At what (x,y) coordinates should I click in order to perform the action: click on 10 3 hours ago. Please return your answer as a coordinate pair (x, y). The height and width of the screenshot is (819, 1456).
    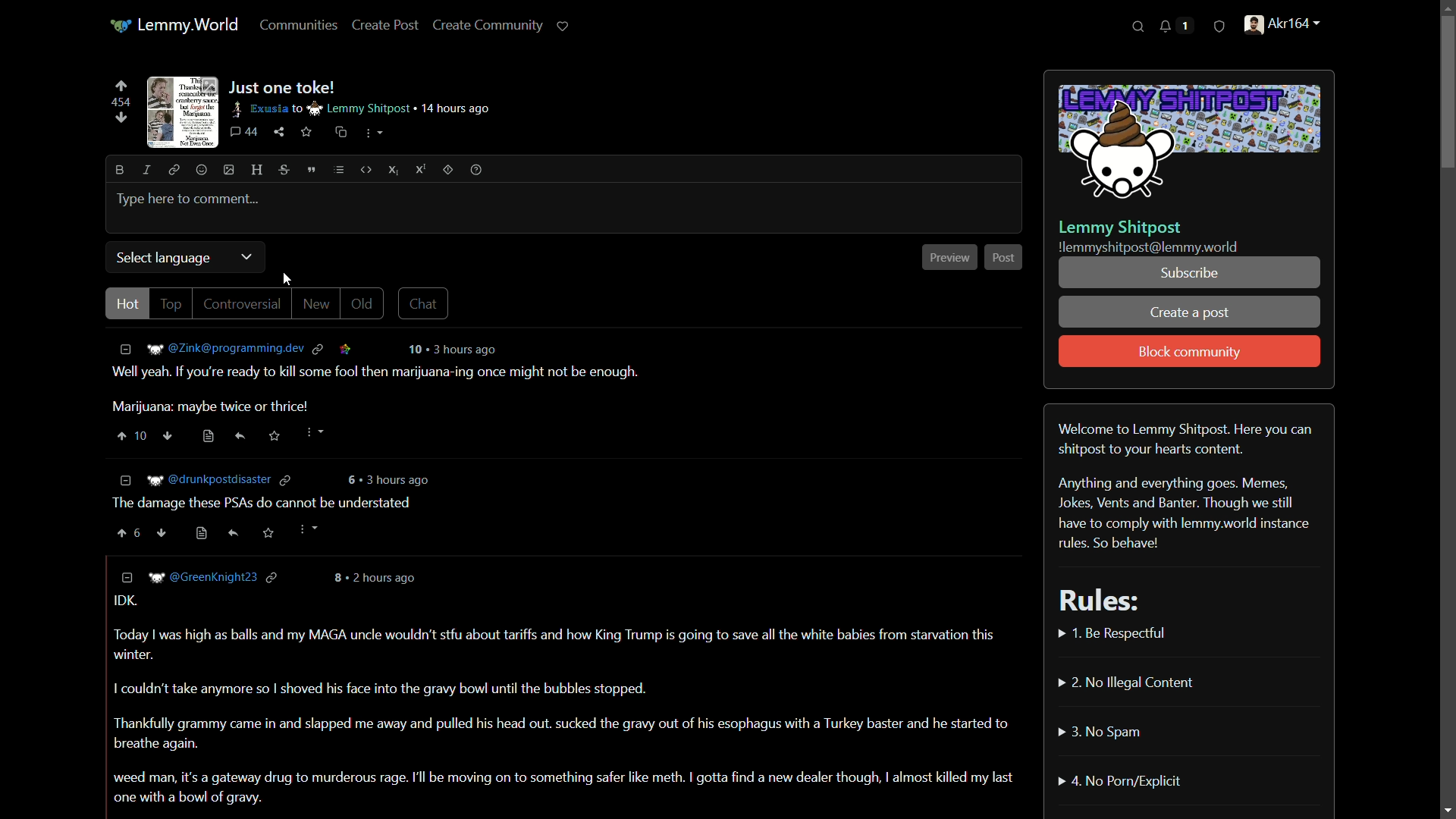
    Looking at the image, I should click on (454, 350).